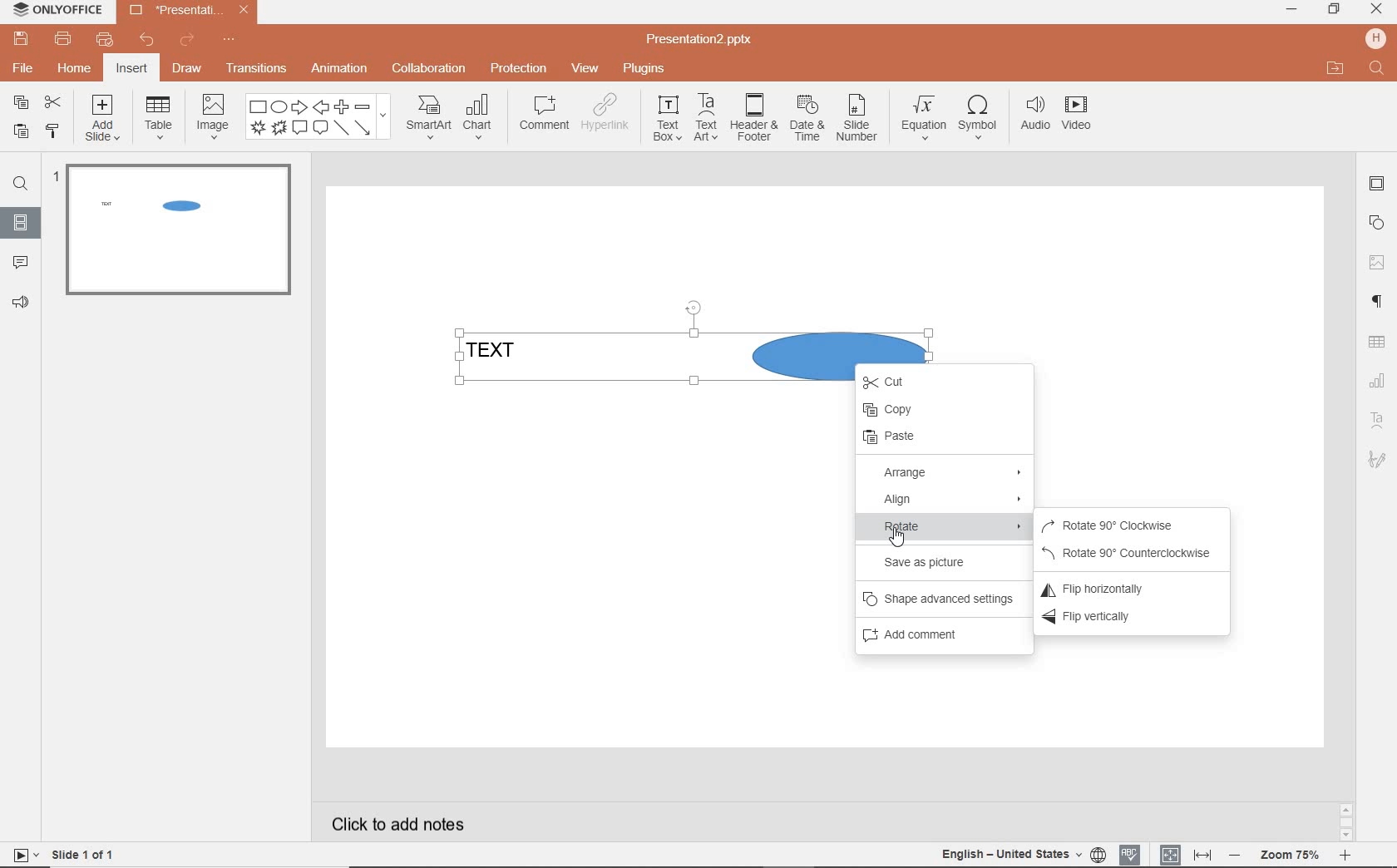  Describe the element at coordinates (24, 69) in the screenshot. I see `file` at that location.